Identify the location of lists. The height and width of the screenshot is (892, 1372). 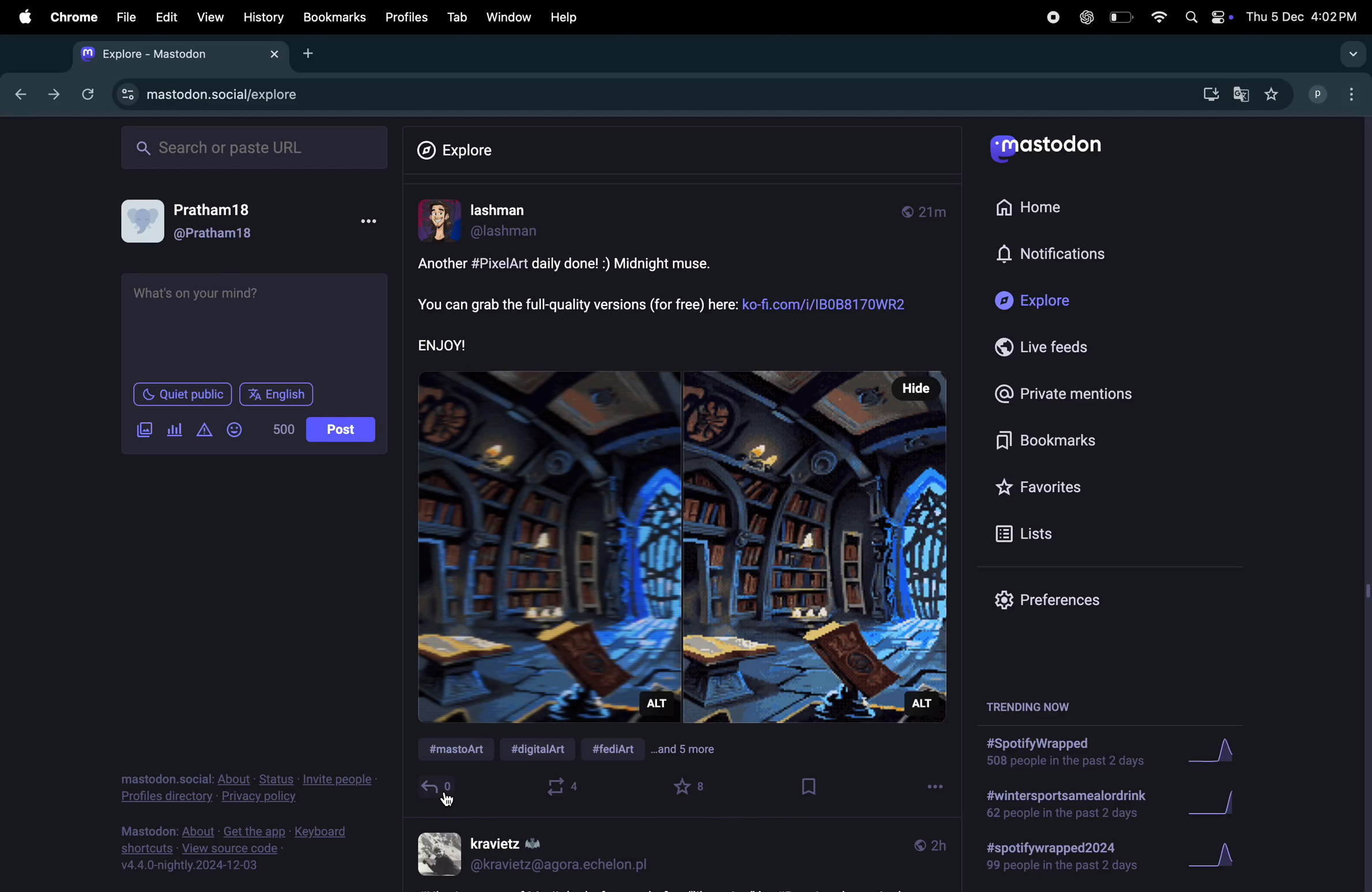
(1039, 532).